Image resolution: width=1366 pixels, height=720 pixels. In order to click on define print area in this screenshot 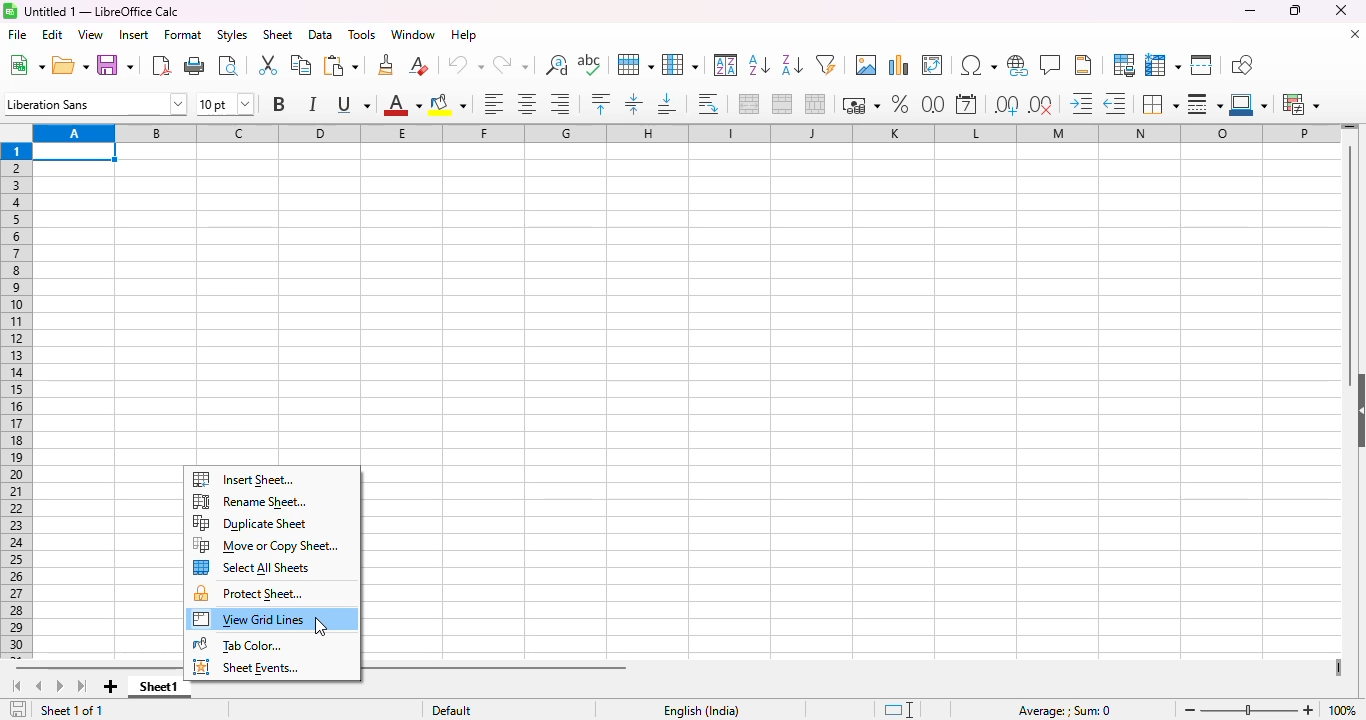, I will do `click(1124, 65)`.